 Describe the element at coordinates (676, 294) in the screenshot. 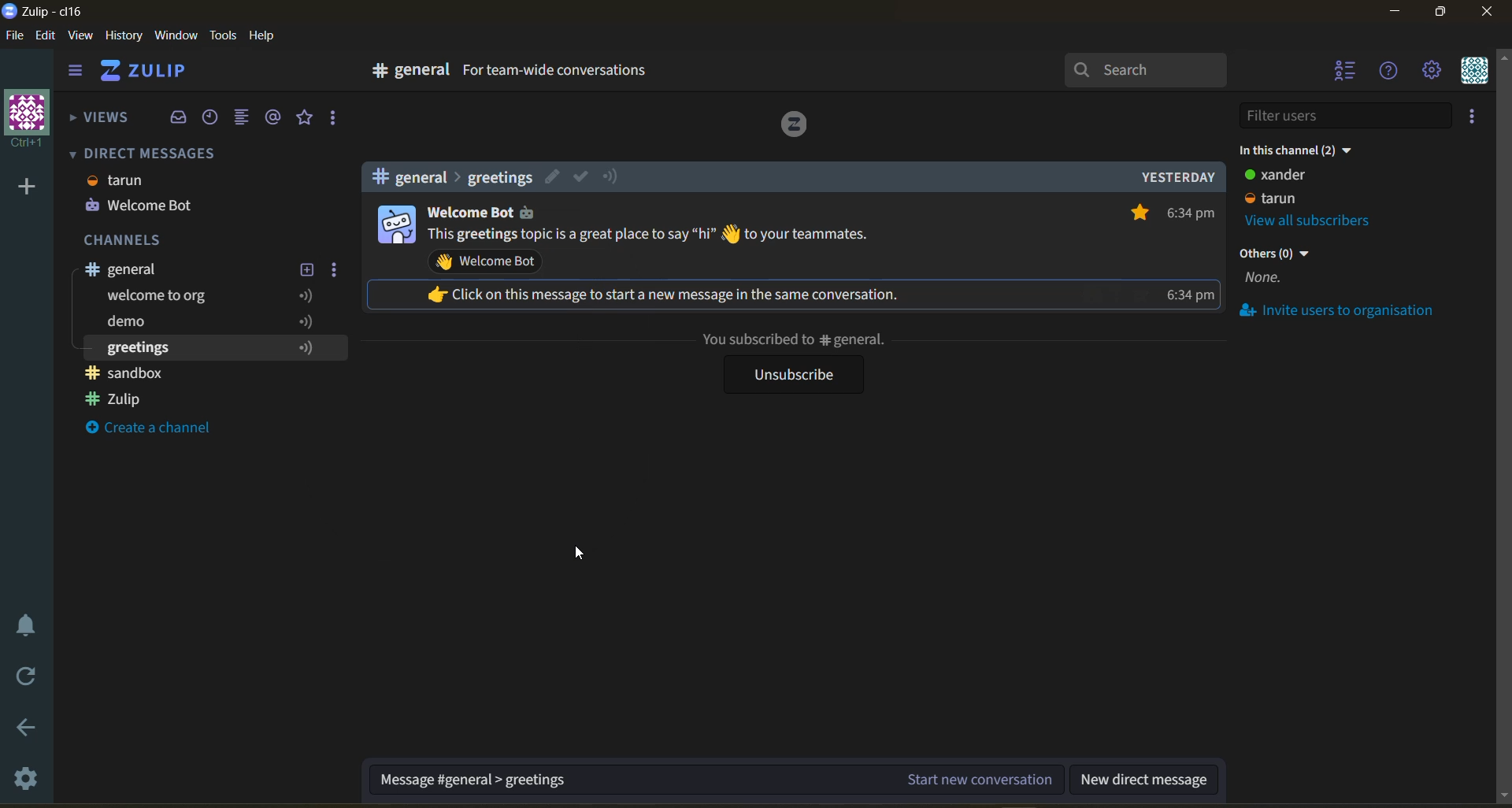

I see `click on this message to start a new message` at that location.